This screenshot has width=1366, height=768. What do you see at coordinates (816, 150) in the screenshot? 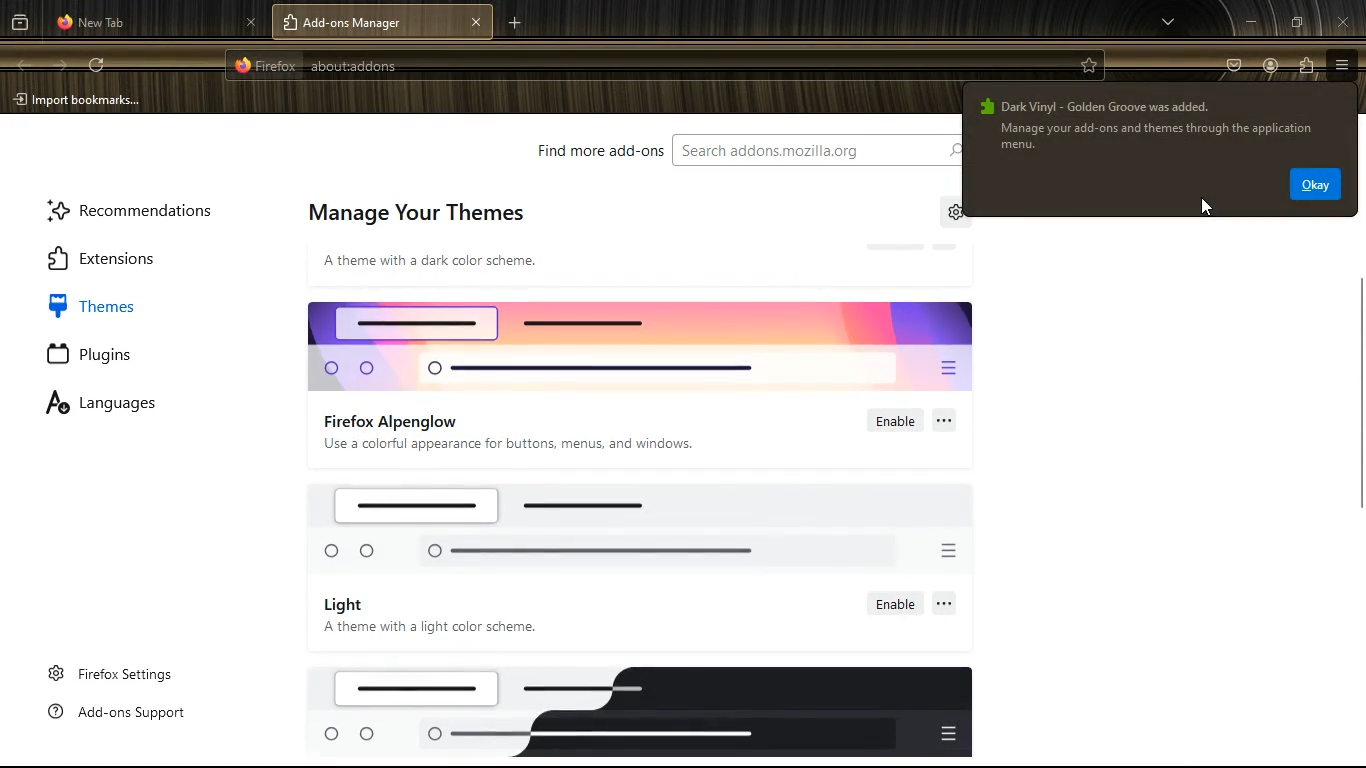
I see `search` at bounding box center [816, 150].